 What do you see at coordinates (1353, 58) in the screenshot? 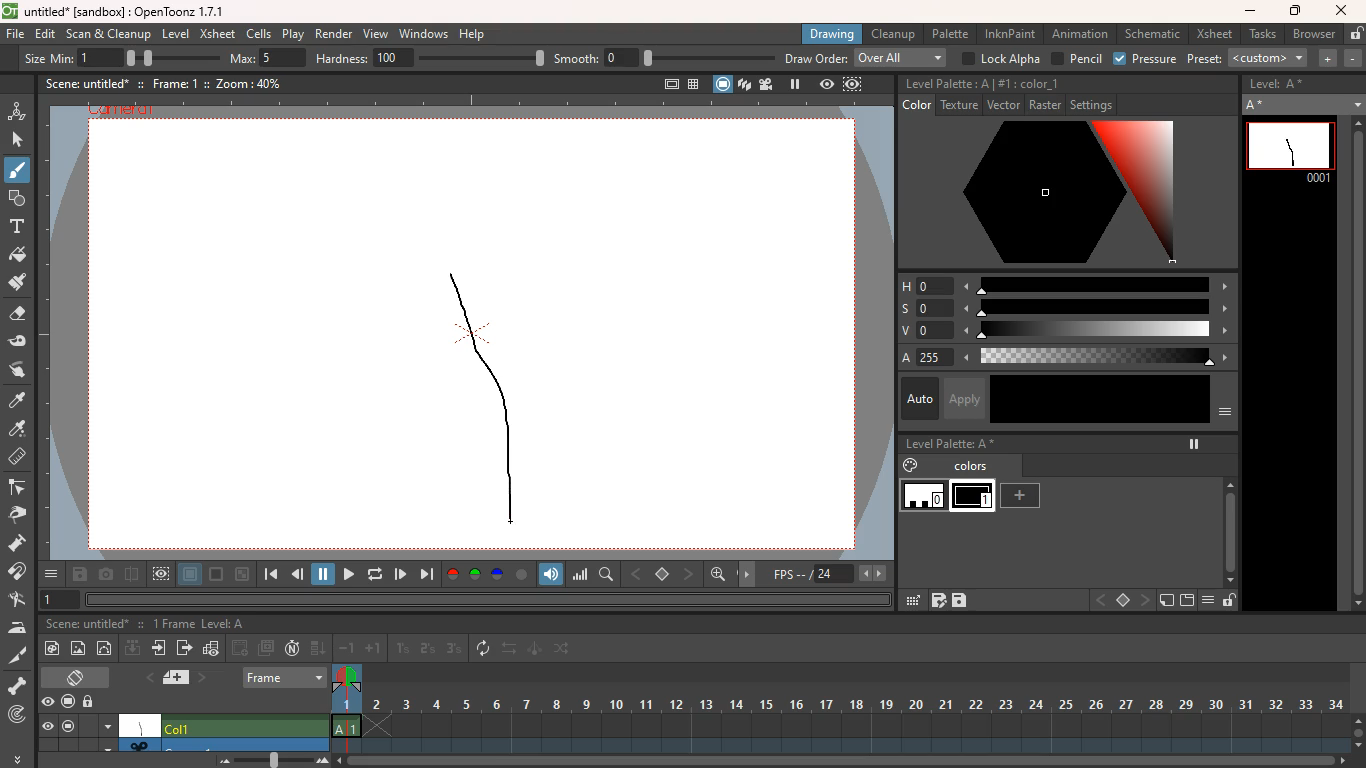
I see `minus` at bounding box center [1353, 58].